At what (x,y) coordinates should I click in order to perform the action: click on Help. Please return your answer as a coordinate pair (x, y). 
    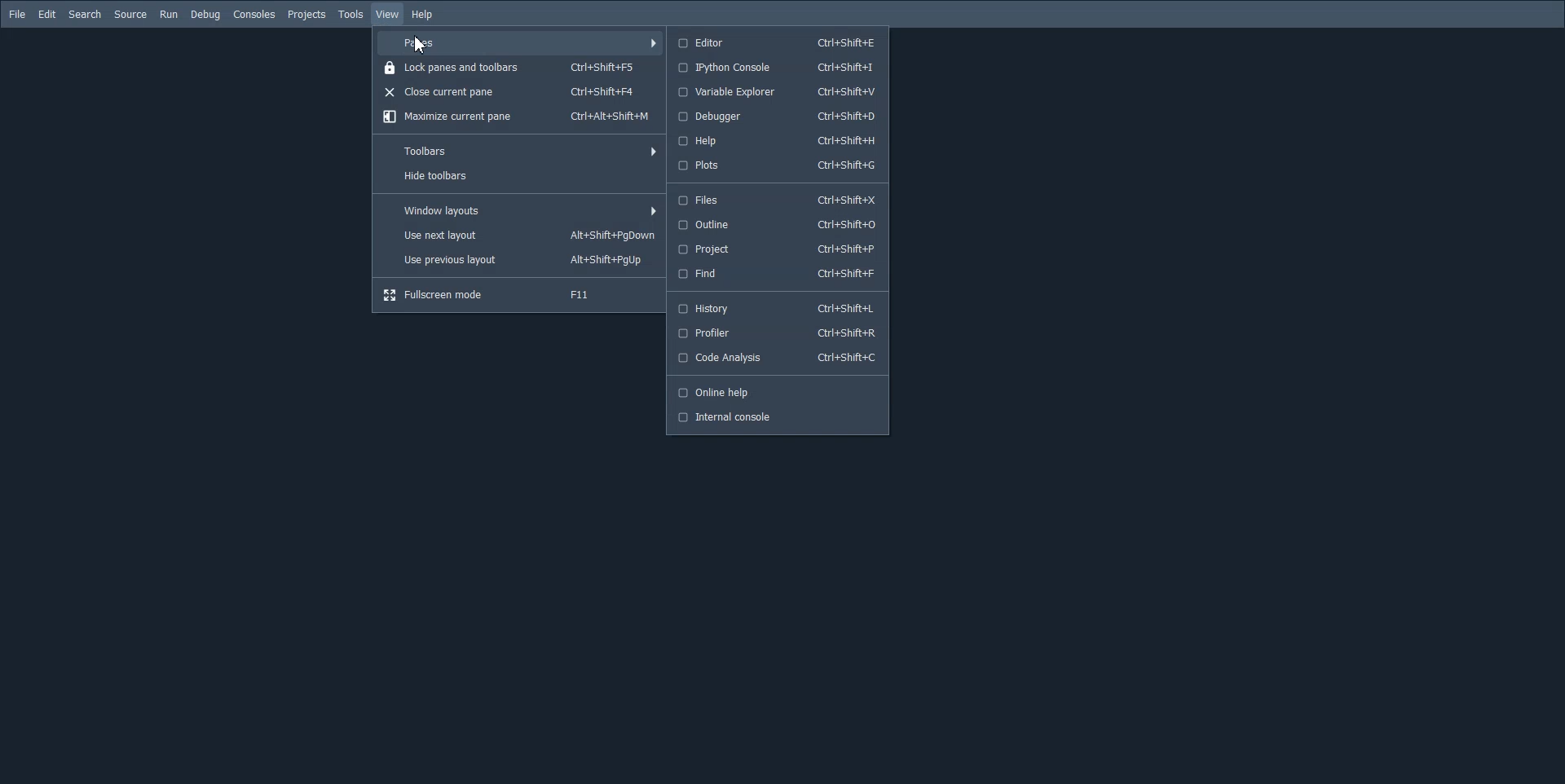
    Looking at the image, I should click on (778, 142).